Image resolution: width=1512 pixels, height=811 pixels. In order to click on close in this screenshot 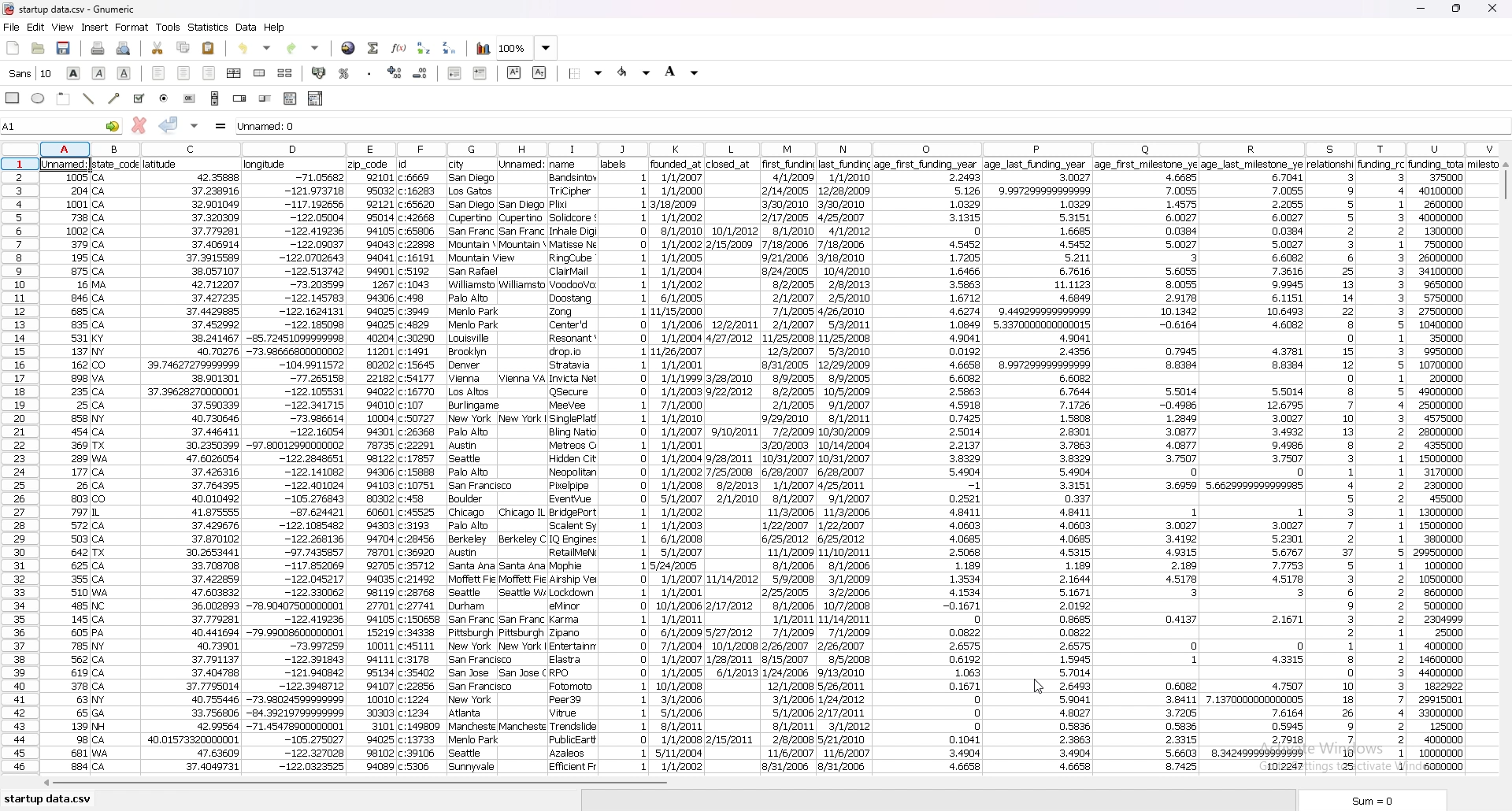, I will do `click(1492, 9)`.